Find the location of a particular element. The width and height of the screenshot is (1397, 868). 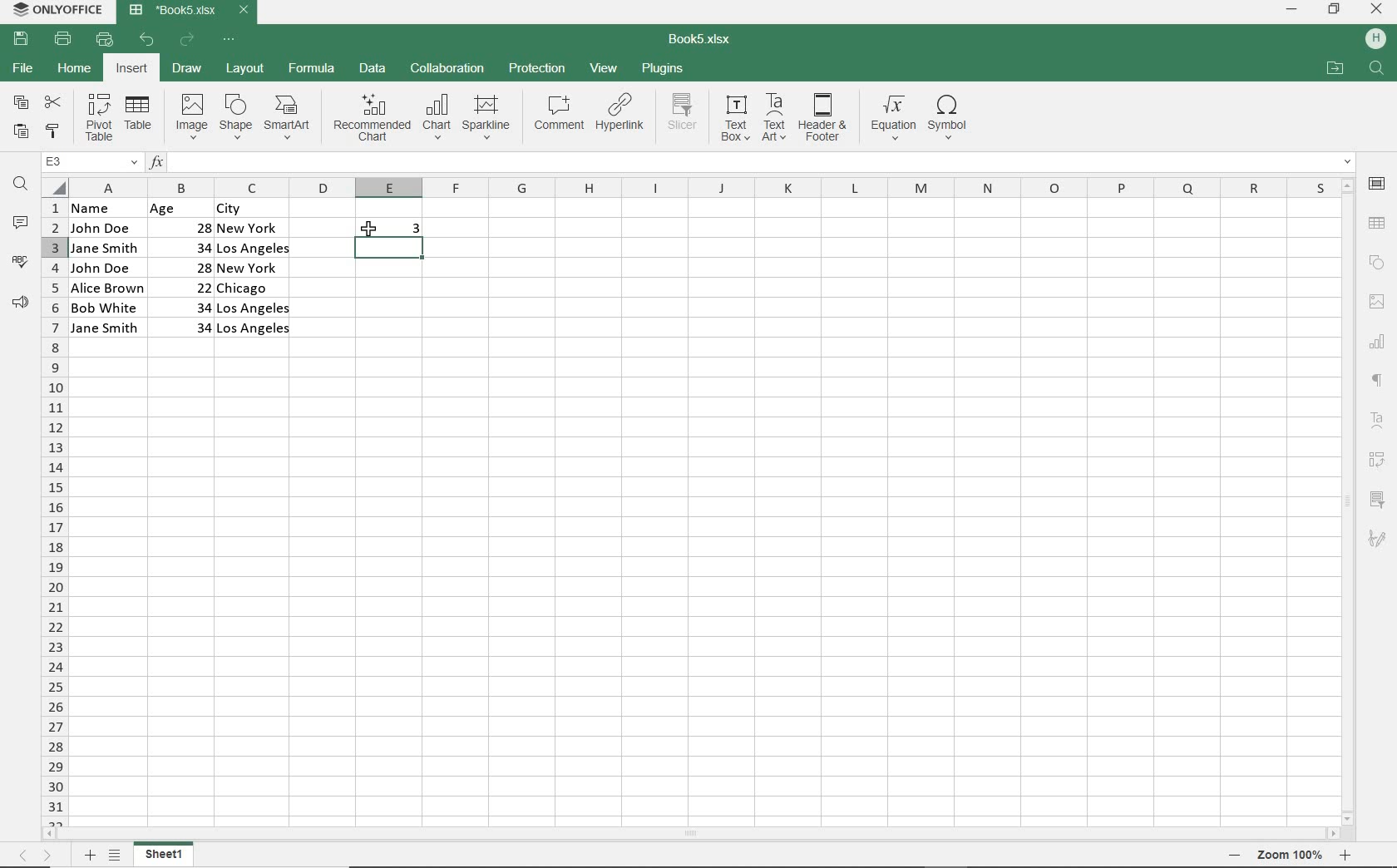

Chicago is located at coordinates (255, 289).